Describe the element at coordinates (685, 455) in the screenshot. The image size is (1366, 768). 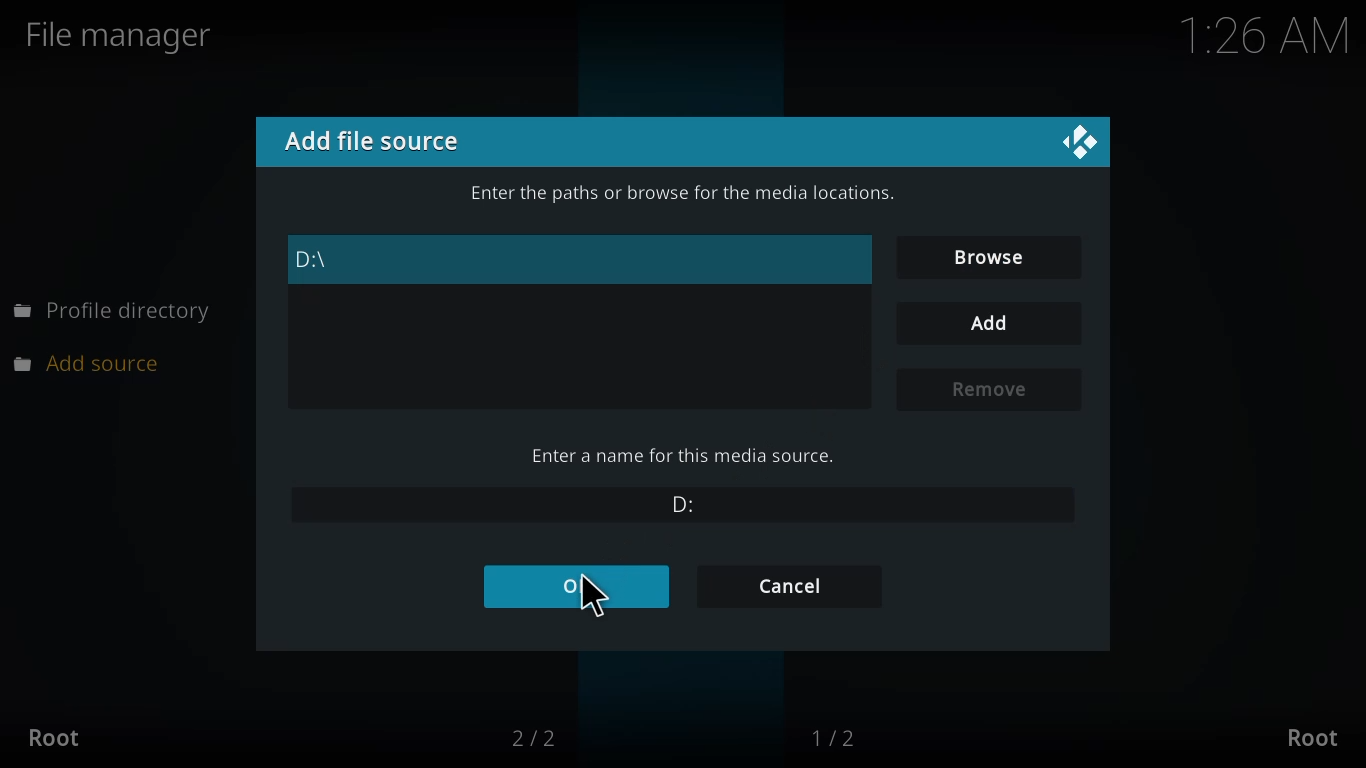
I see `Enter a name for this media source.` at that location.